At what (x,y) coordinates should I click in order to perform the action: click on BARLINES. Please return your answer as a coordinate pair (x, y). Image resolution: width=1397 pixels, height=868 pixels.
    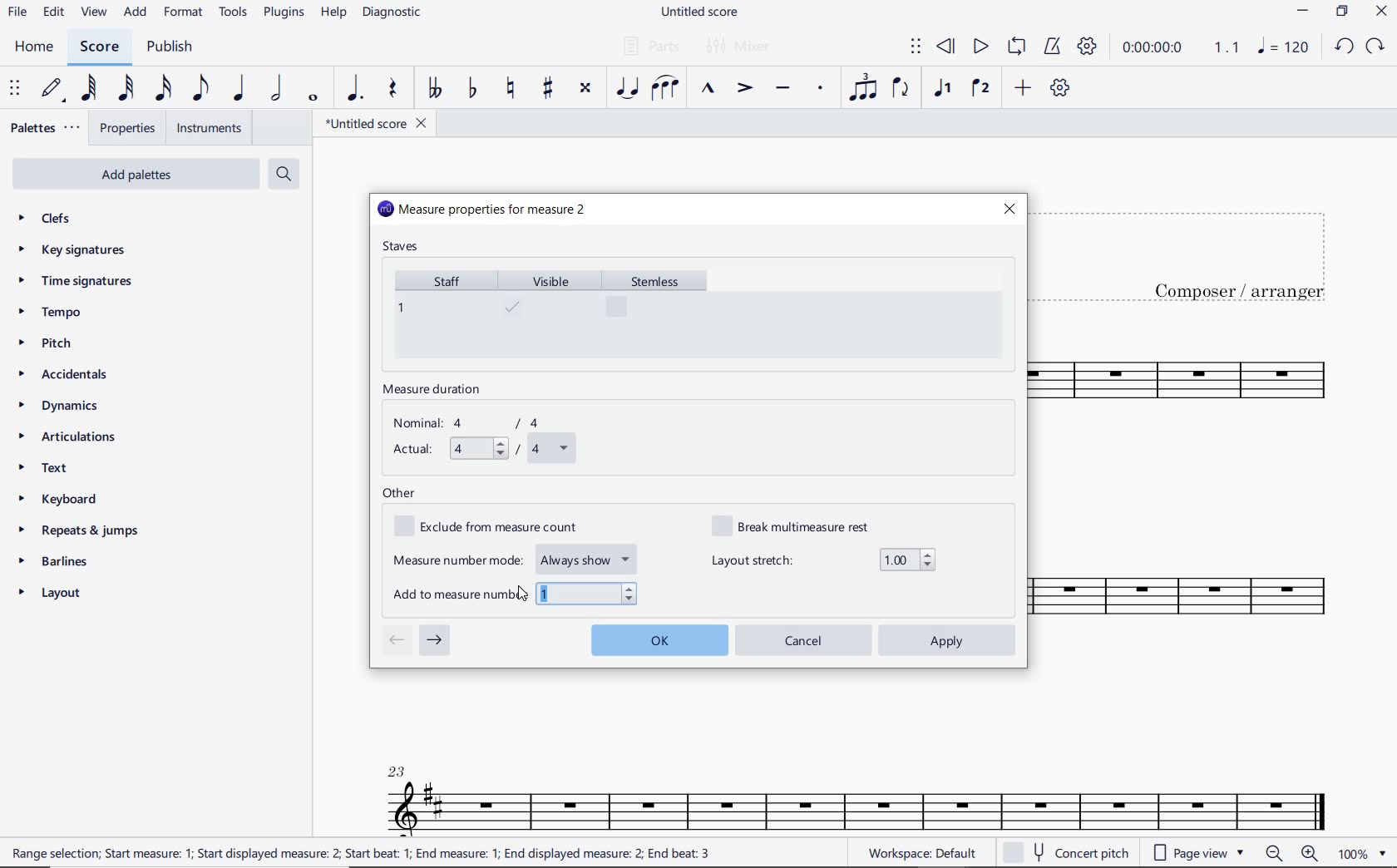
    Looking at the image, I should click on (59, 565).